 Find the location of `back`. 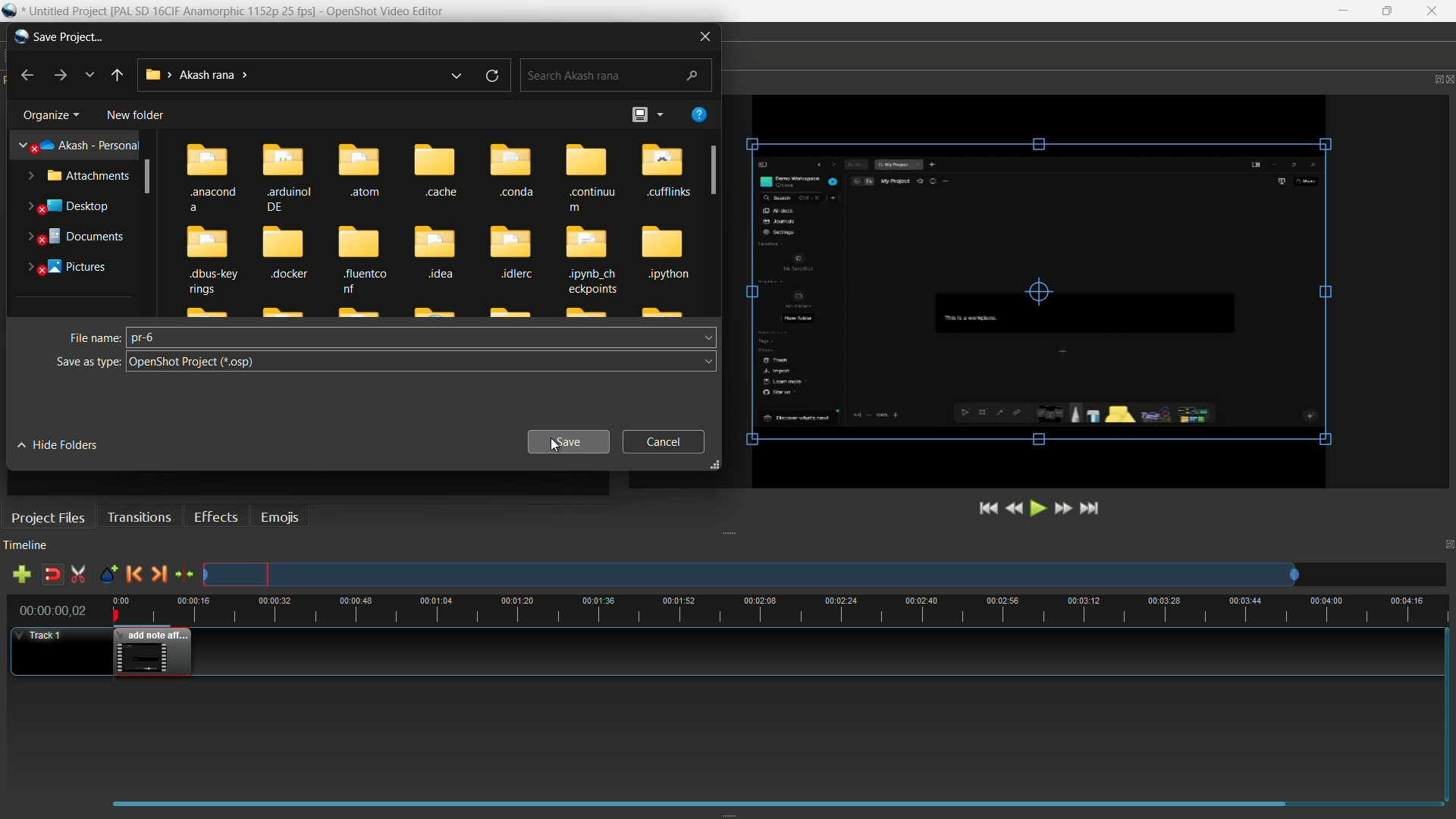

back is located at coordinates (26, 76).